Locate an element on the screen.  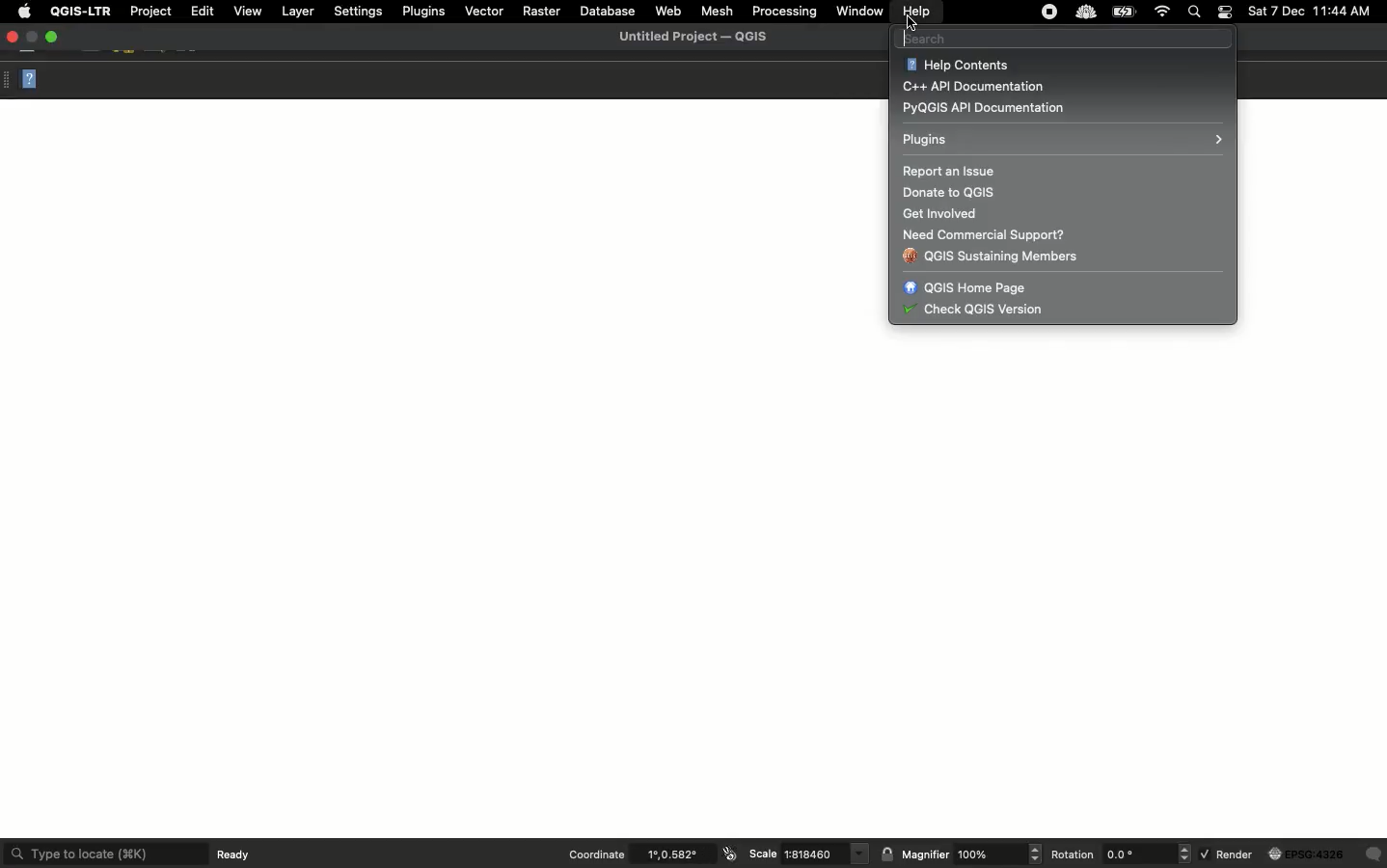
Maximize is located at coordinates (52, 36).